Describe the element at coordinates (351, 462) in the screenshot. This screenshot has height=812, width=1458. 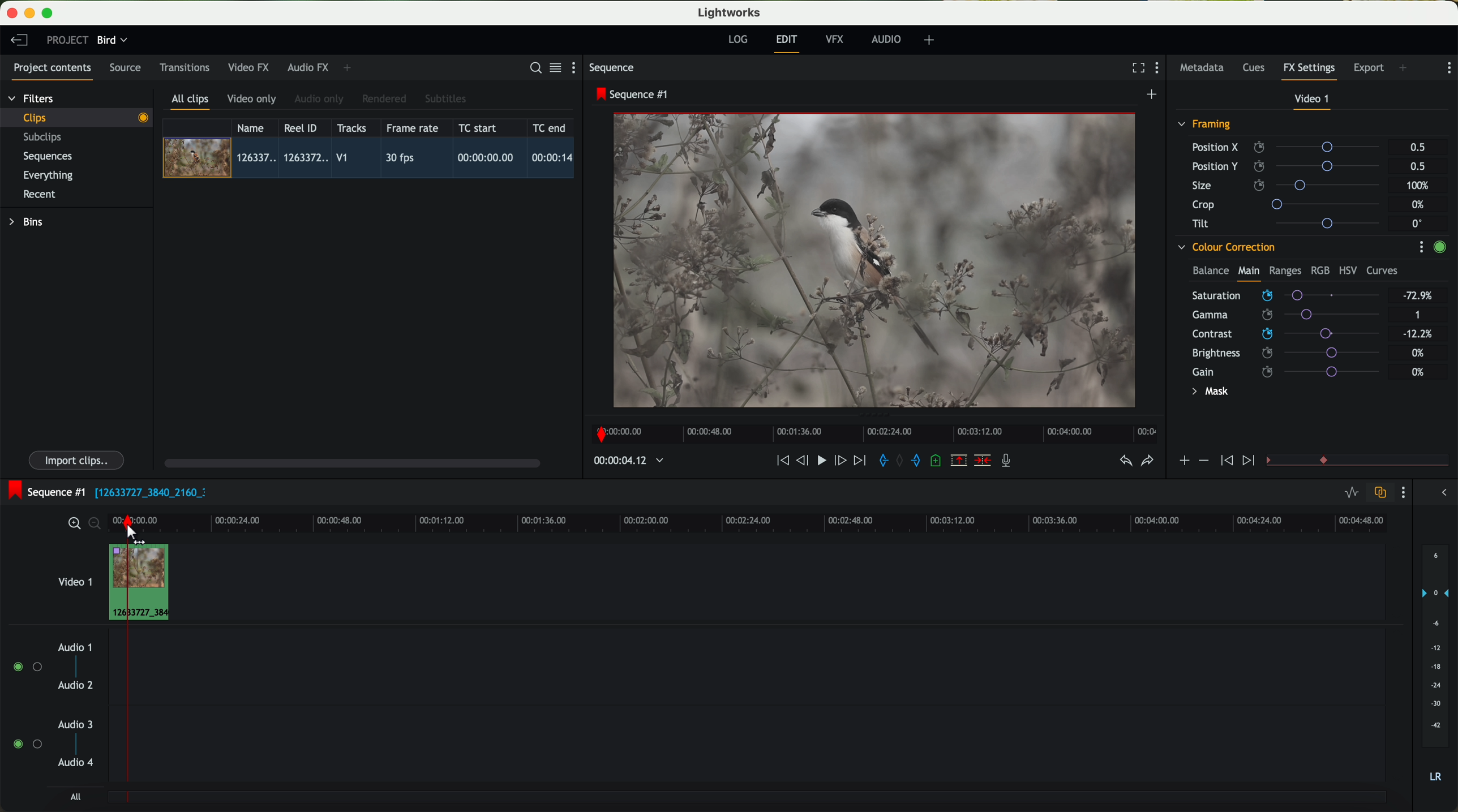
I see `scroll bar` at that location.